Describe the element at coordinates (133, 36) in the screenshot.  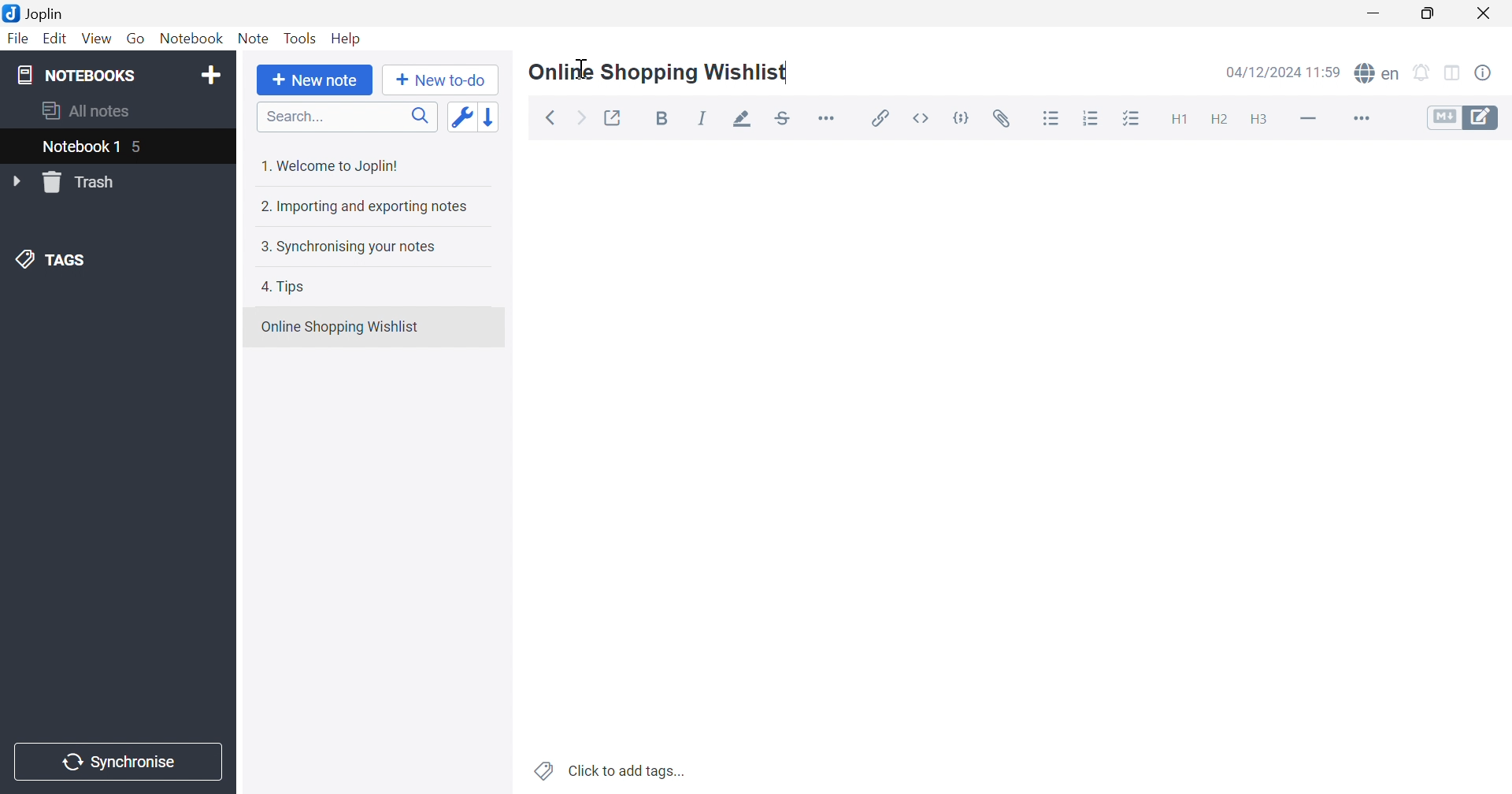
I see `Go` at that location.